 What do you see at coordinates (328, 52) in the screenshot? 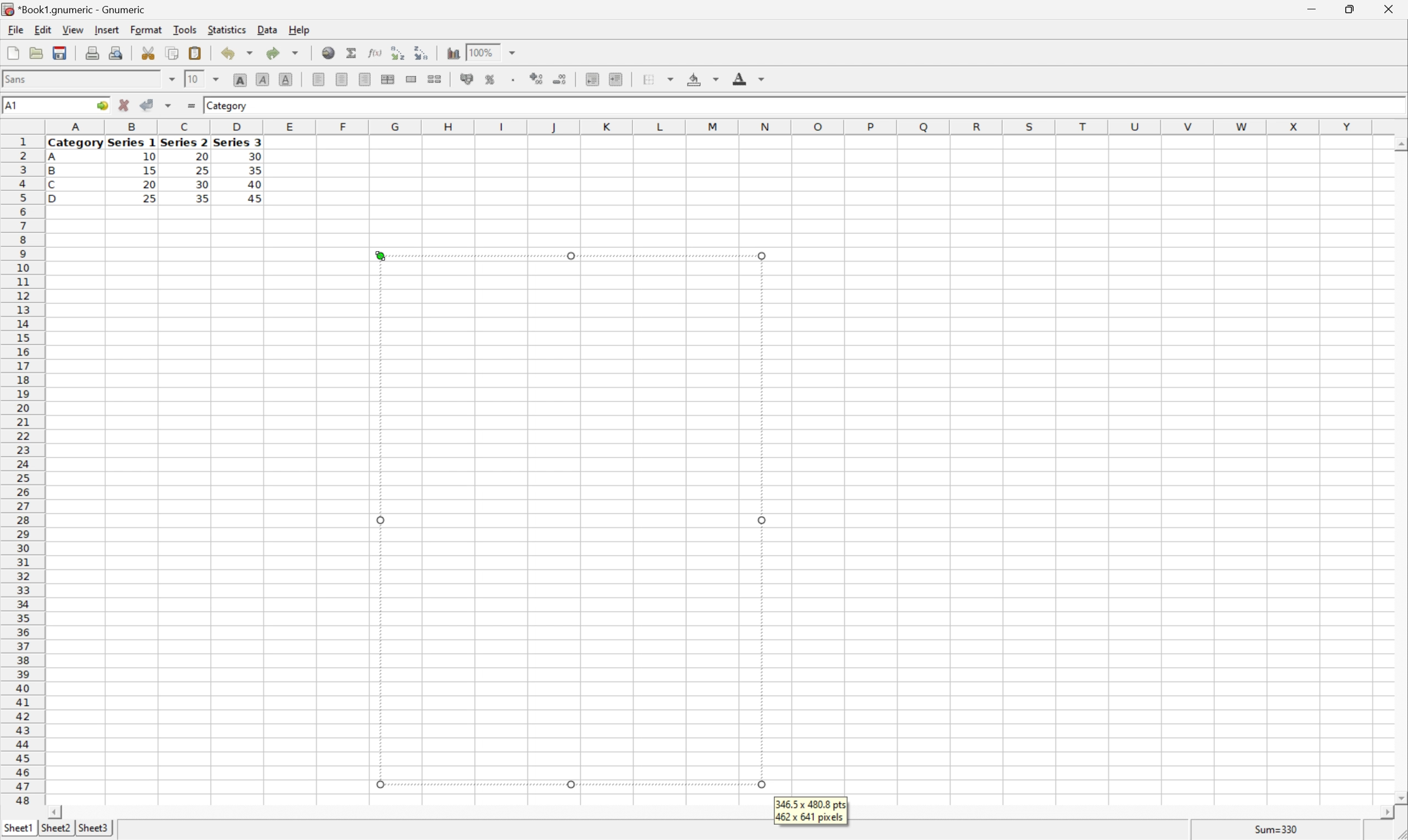
I see `Insert a hyperlink` at bounding box center [328, 52].